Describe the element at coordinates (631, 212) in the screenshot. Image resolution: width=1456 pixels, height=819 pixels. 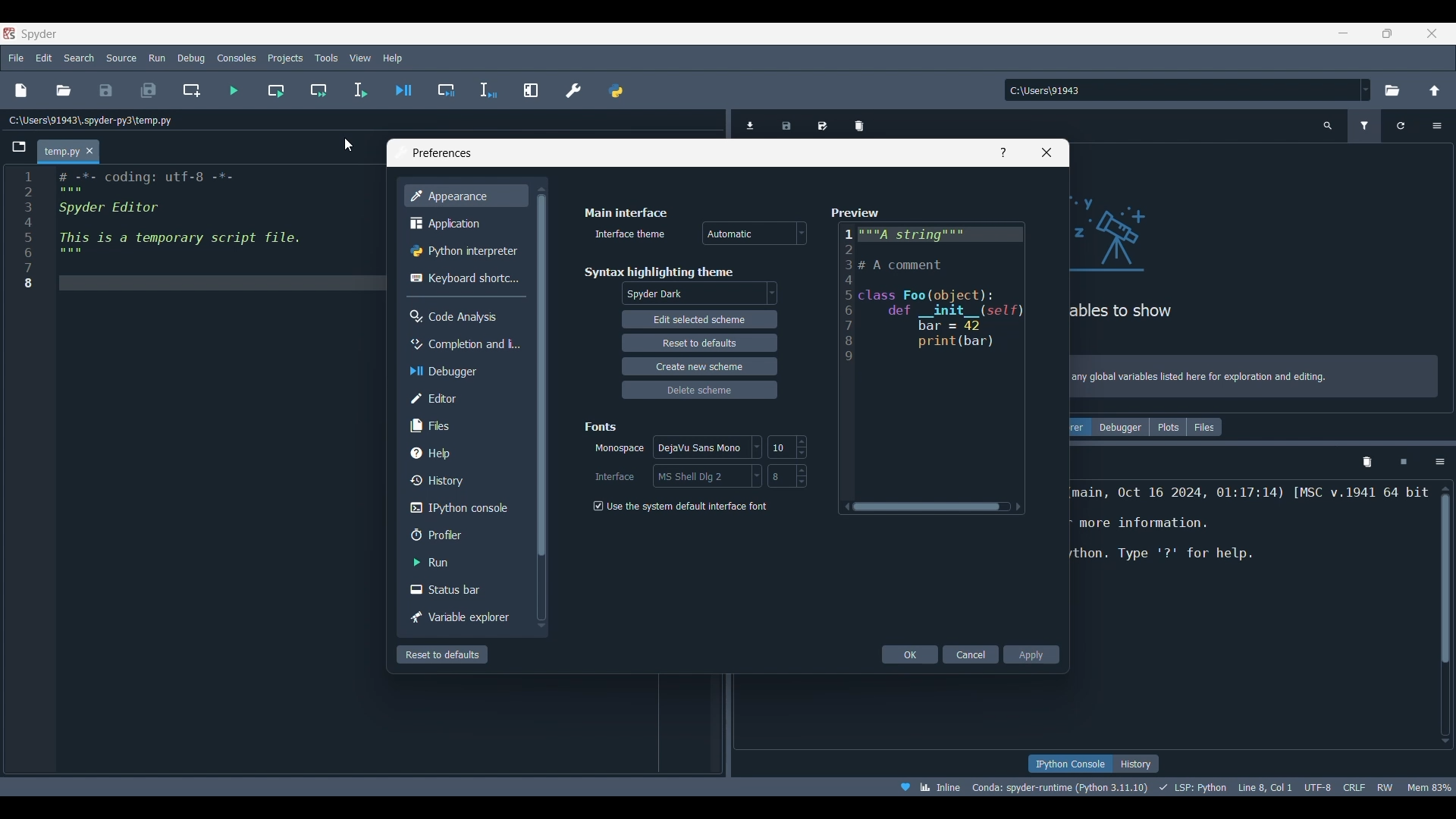
I see `Main interface` at that location.